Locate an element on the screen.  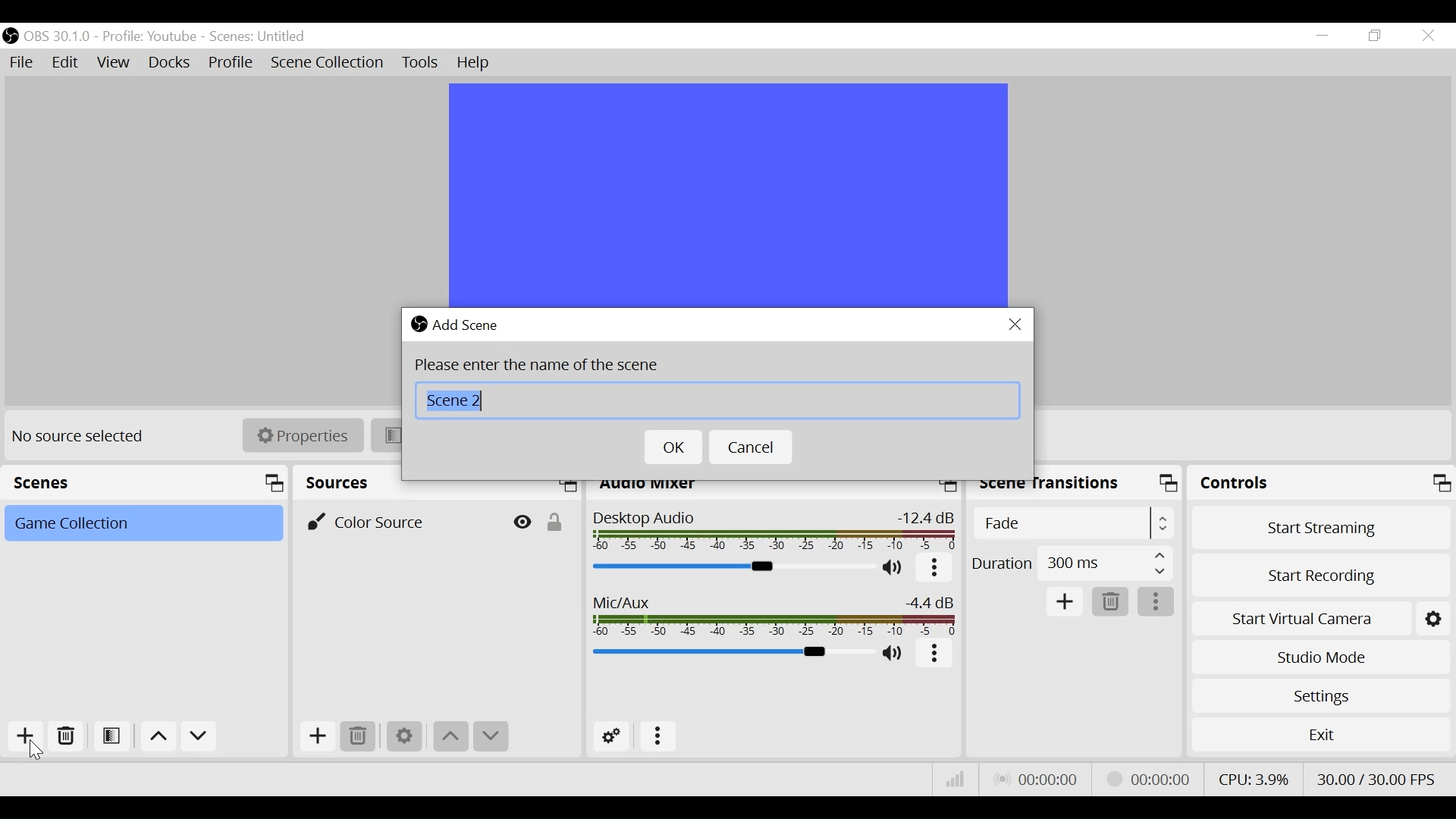
Move down is located at coordinates (489, 737).